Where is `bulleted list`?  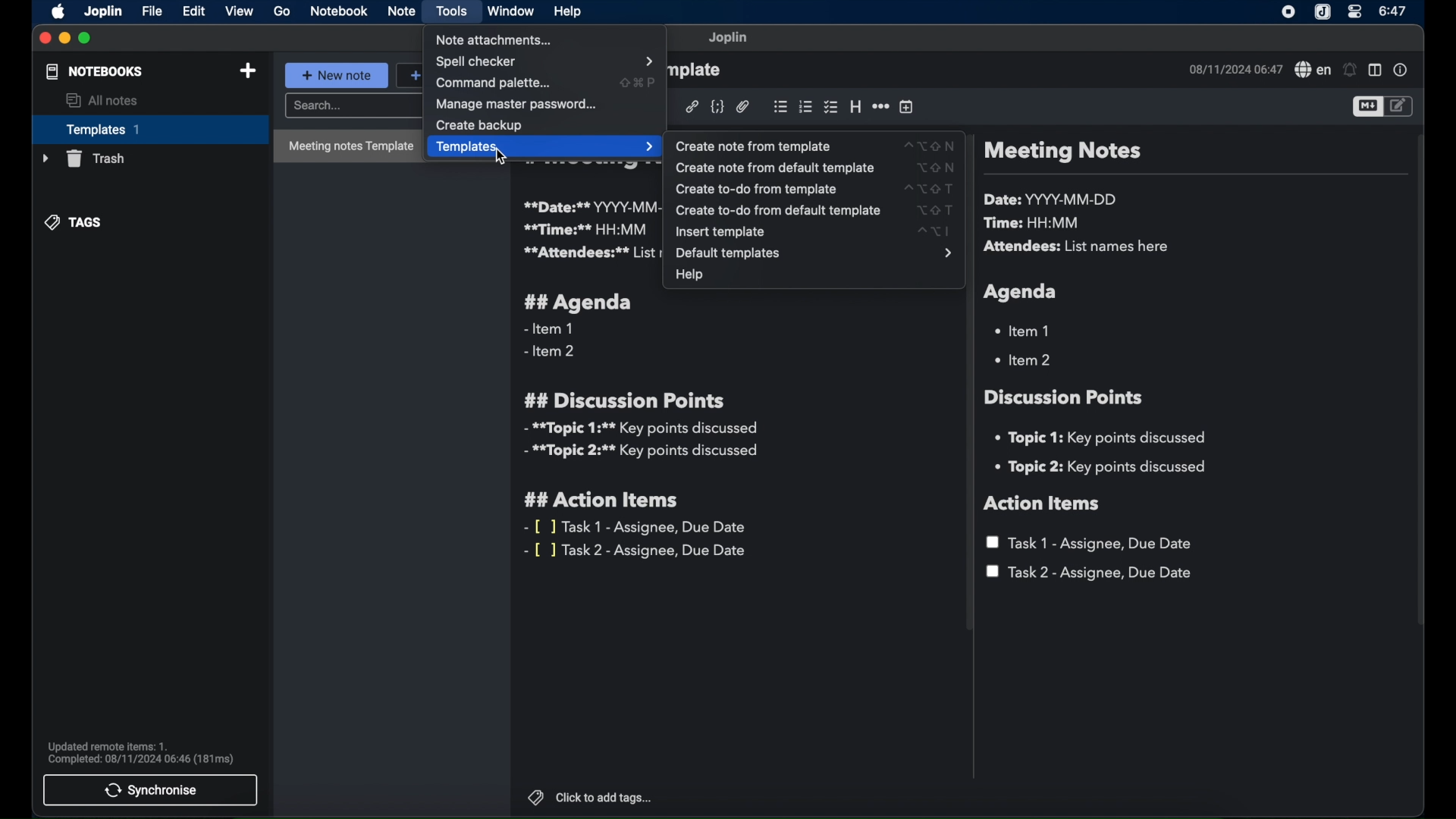 bulleted list is located at coordinates (780, 105).